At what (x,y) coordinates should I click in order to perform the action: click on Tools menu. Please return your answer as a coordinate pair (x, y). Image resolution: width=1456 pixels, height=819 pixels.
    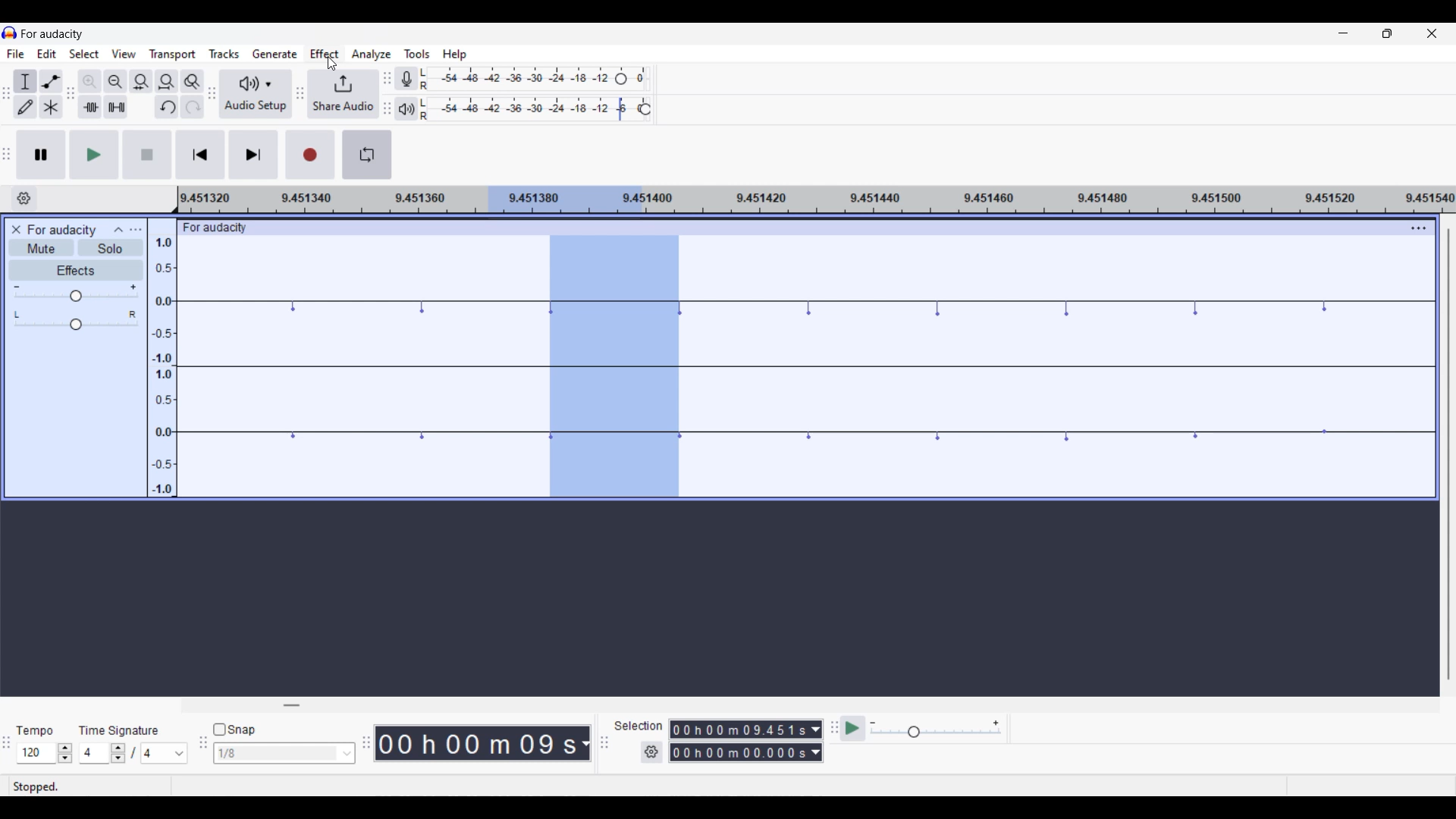
    Looking at the image, I should click on (417, 54).